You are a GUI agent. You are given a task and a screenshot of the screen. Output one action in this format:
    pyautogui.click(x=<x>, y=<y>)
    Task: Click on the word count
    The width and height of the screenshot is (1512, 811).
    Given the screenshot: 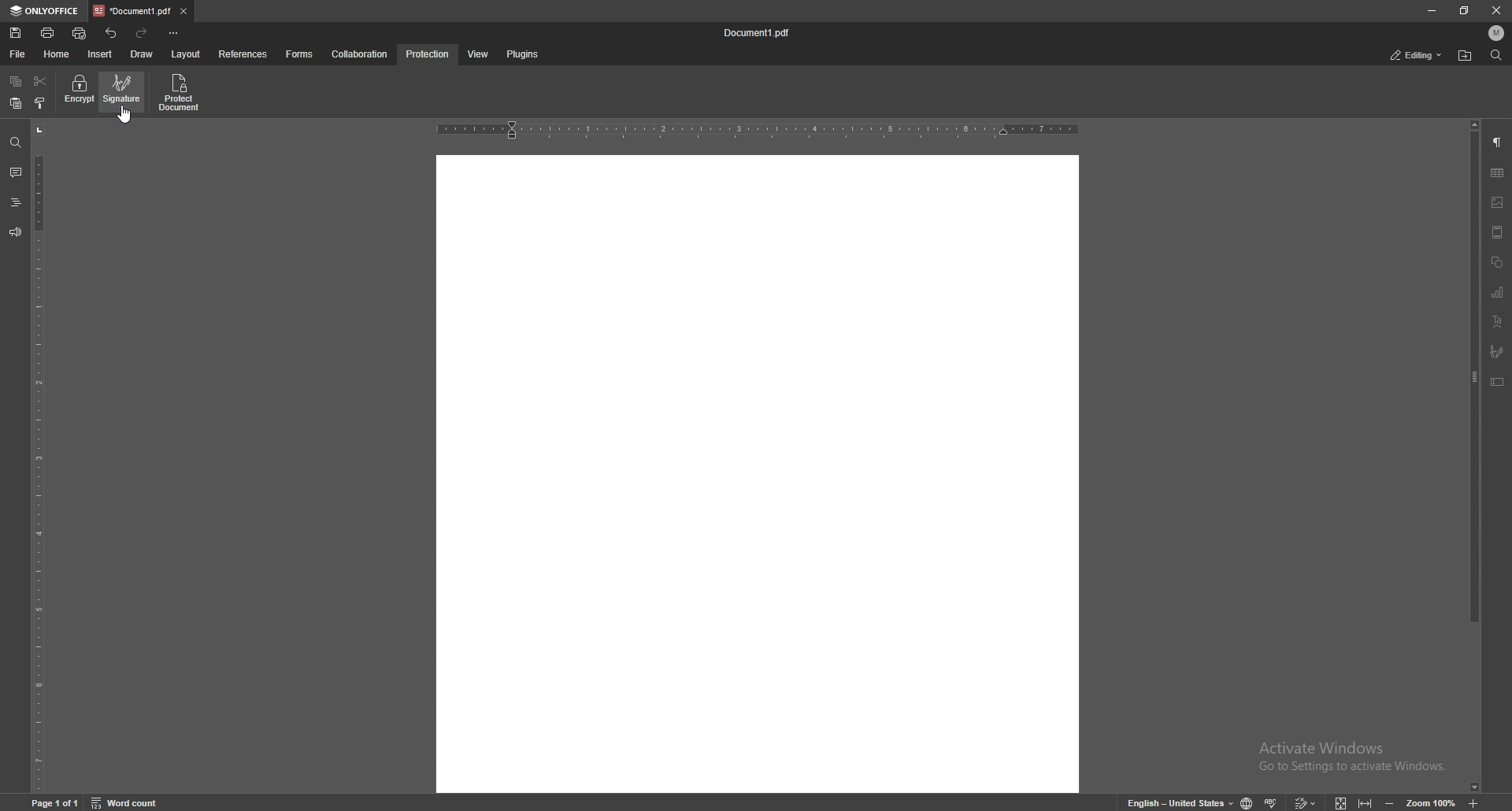 What is the action you would take?
    pyautogui.click(x=135, y=802)
    